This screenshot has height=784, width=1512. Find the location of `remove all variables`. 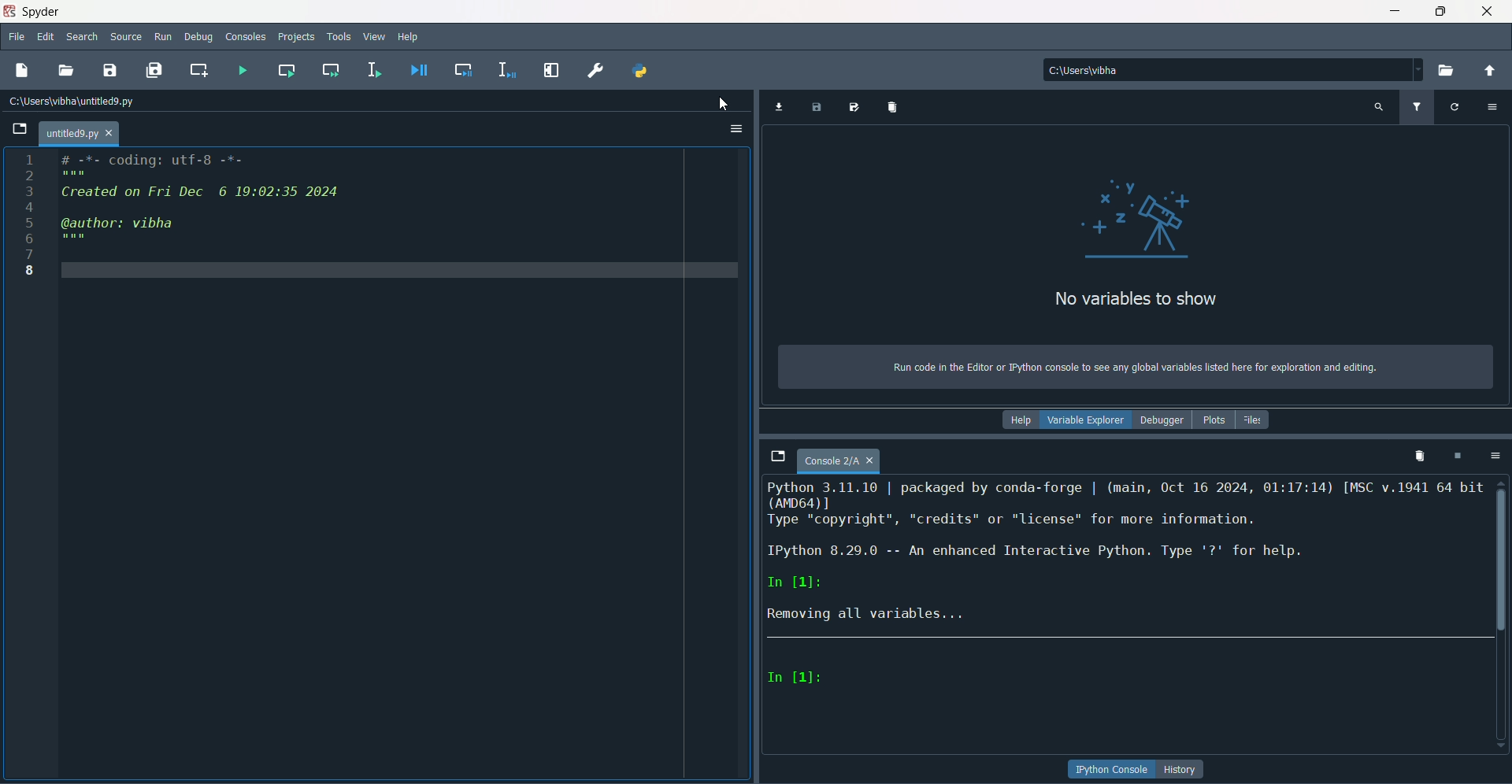

remove all variables is located at coordinates (895, 106).